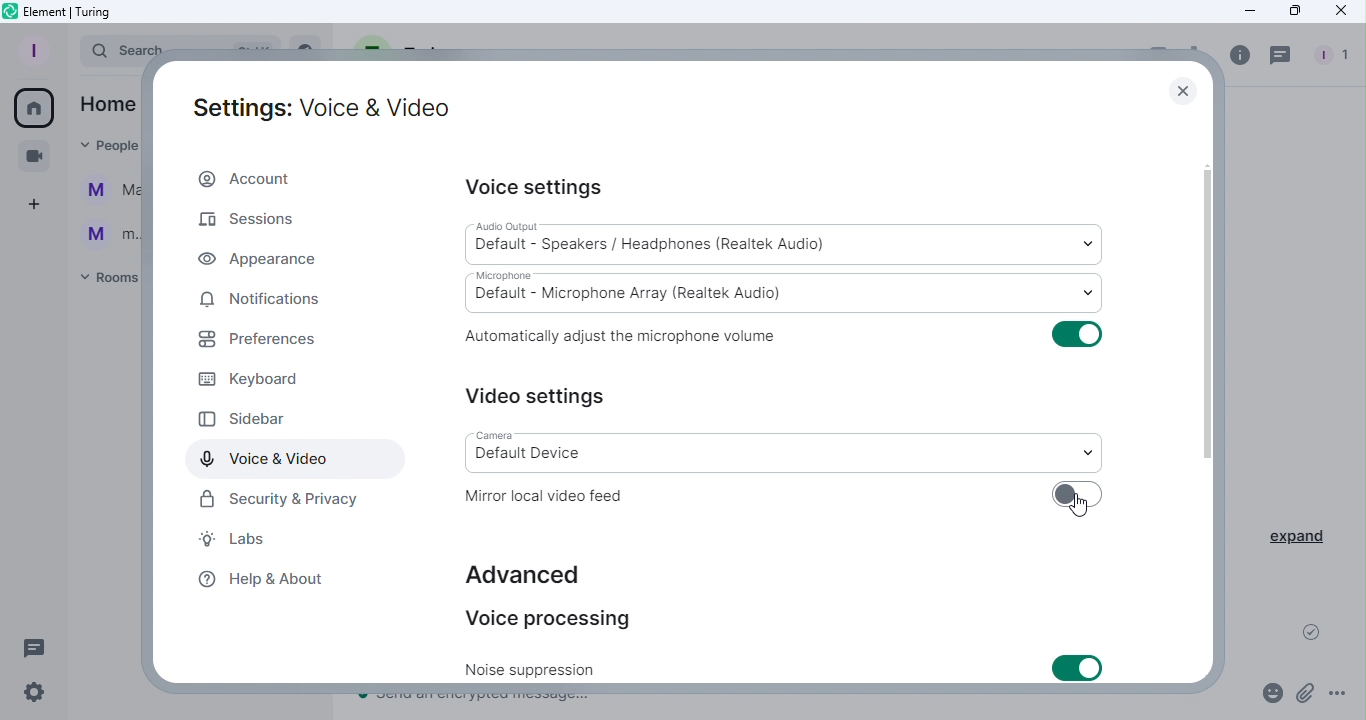  What do you see at coordinates (530, 572) in the screenshot?
I see `Advanced` at bounding box center [530, 572].